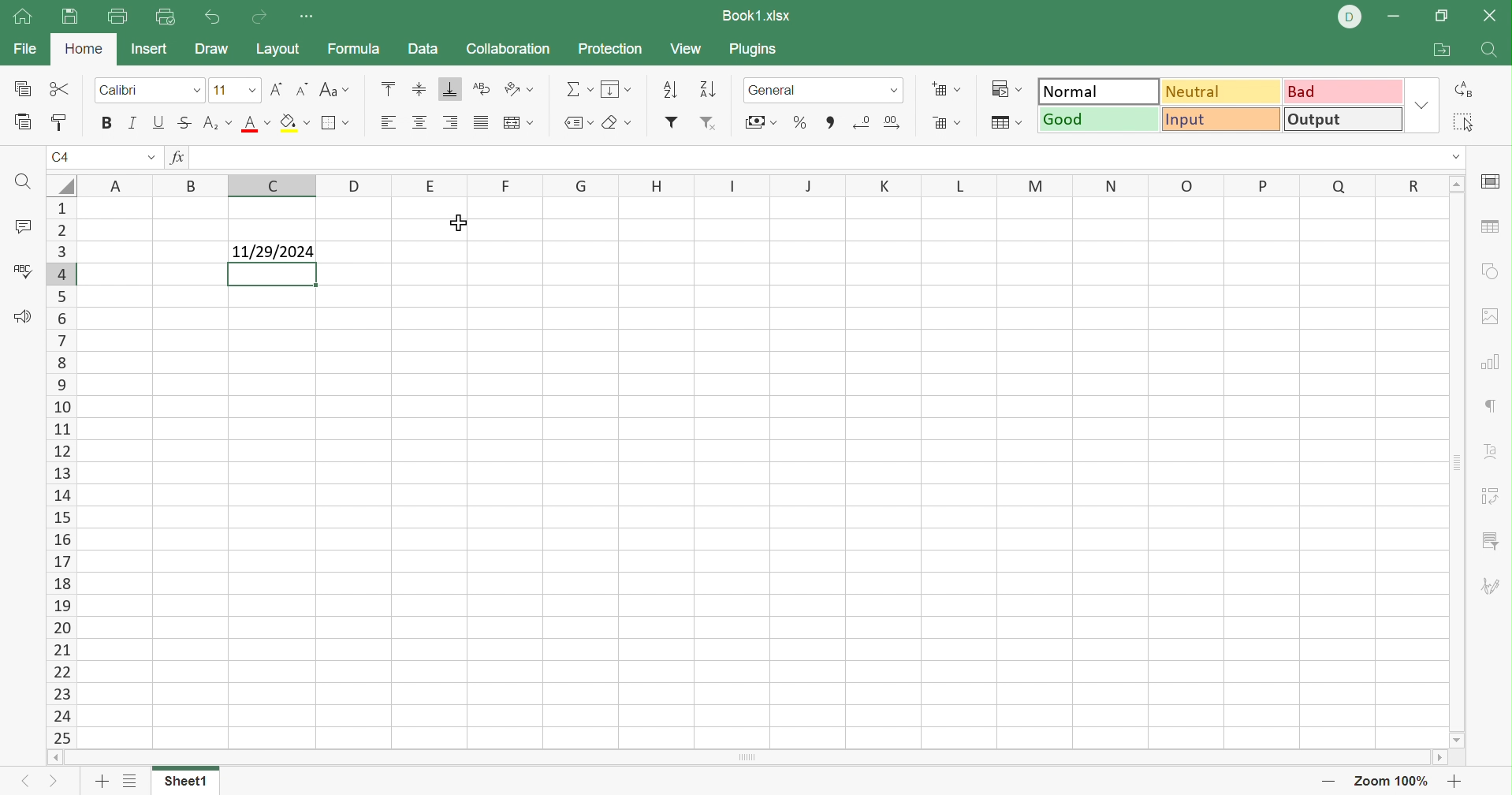 Image resolution: width=1512 pixels, height=795 pixels. Describe the element at coordinates (197, 90) in the screenshot. I see `Drop Down` at that location.